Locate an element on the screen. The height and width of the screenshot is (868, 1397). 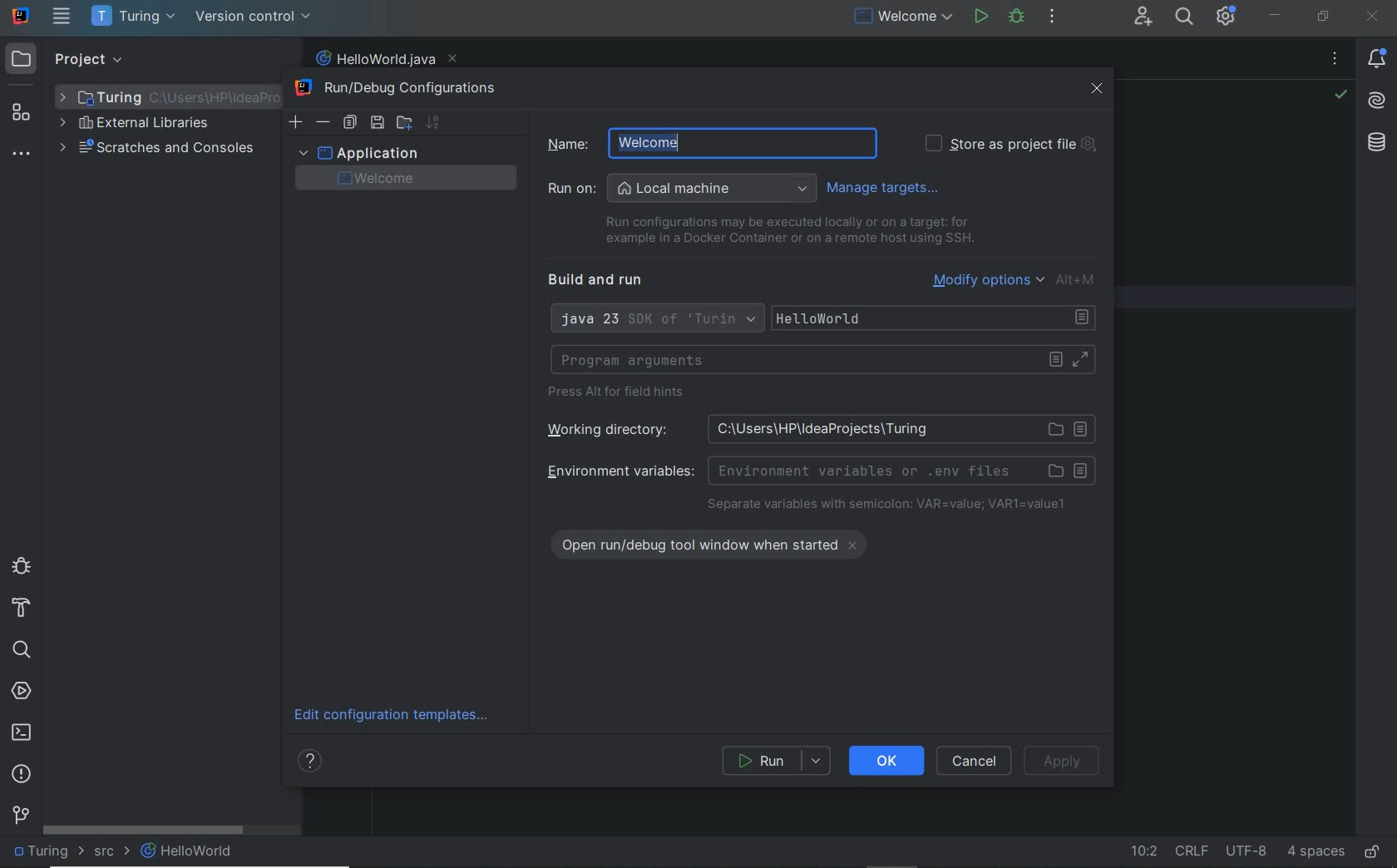
project name is located at coordinates (136, 17).